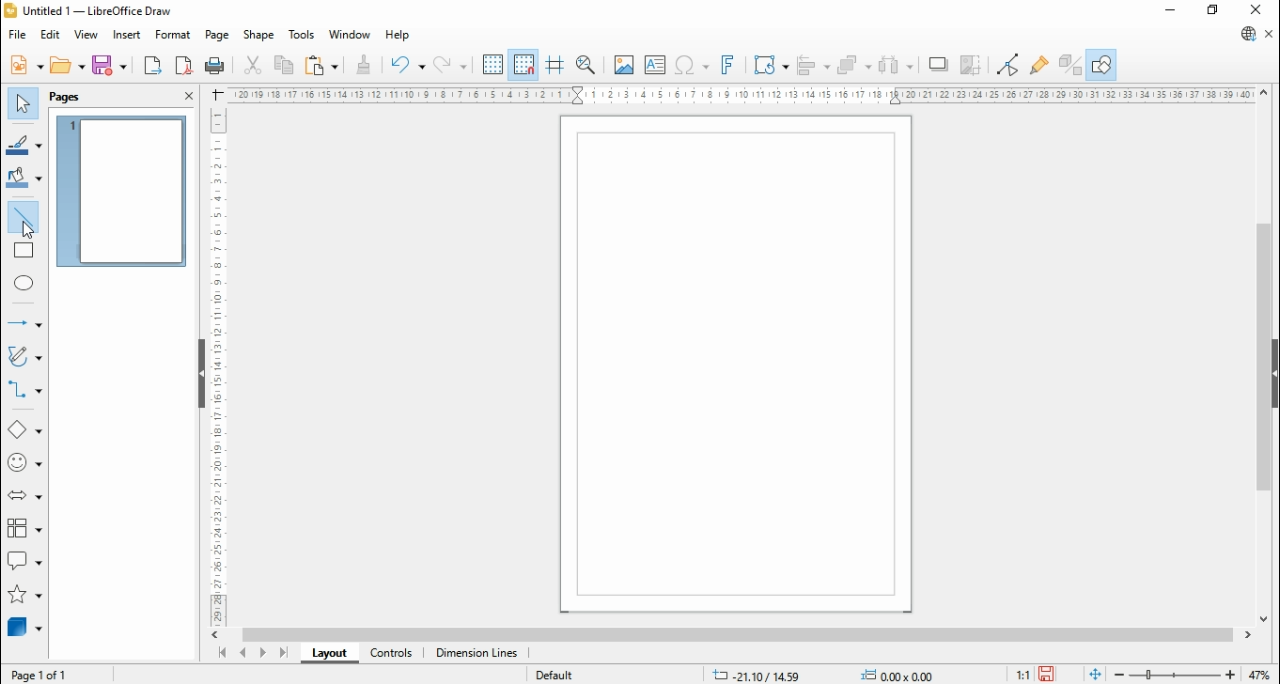 This screenshot has width=1280, height=684. I want to click on default, so click(555, 675).